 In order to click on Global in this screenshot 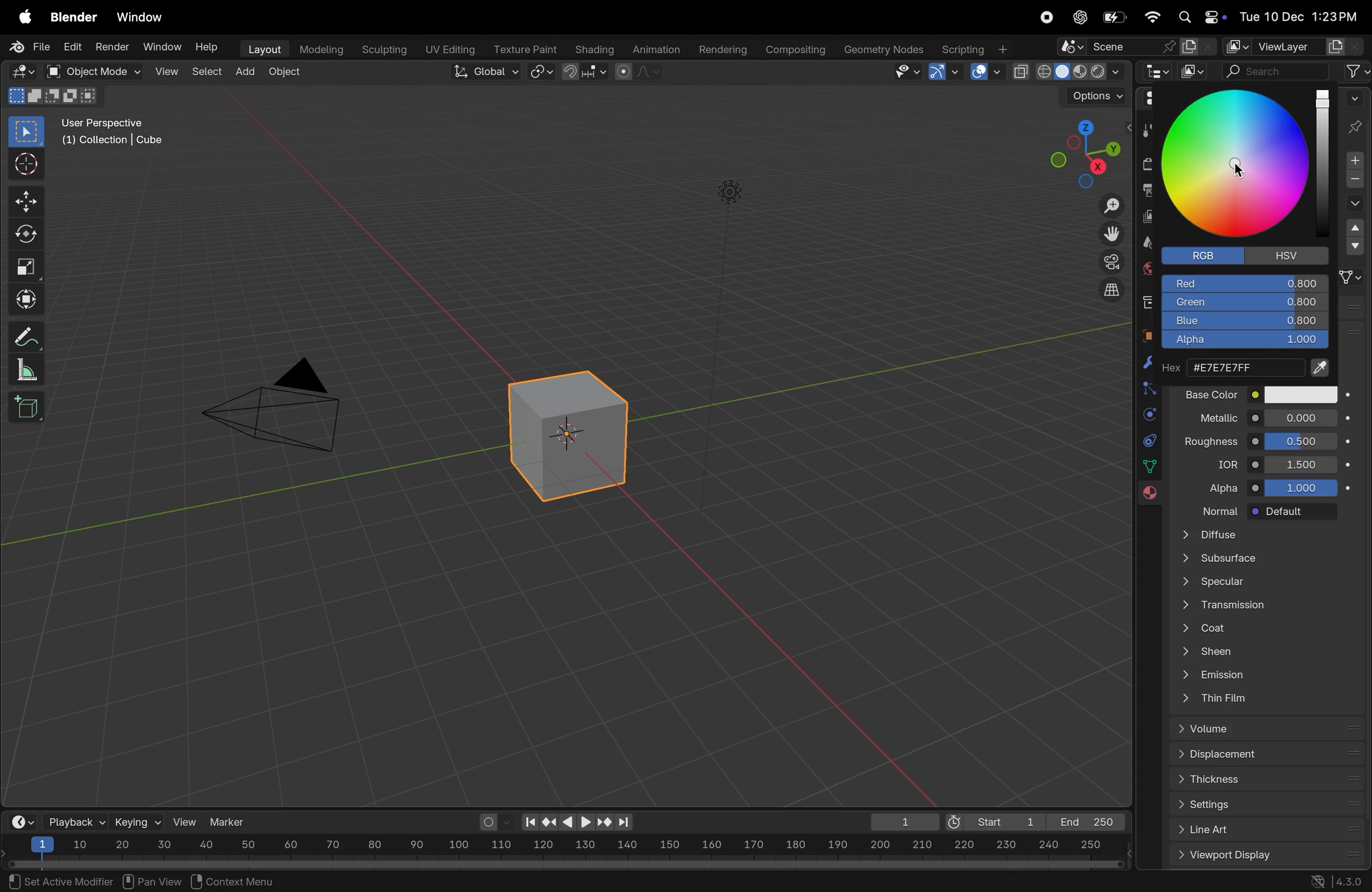, I will do `click(482, 71)`.